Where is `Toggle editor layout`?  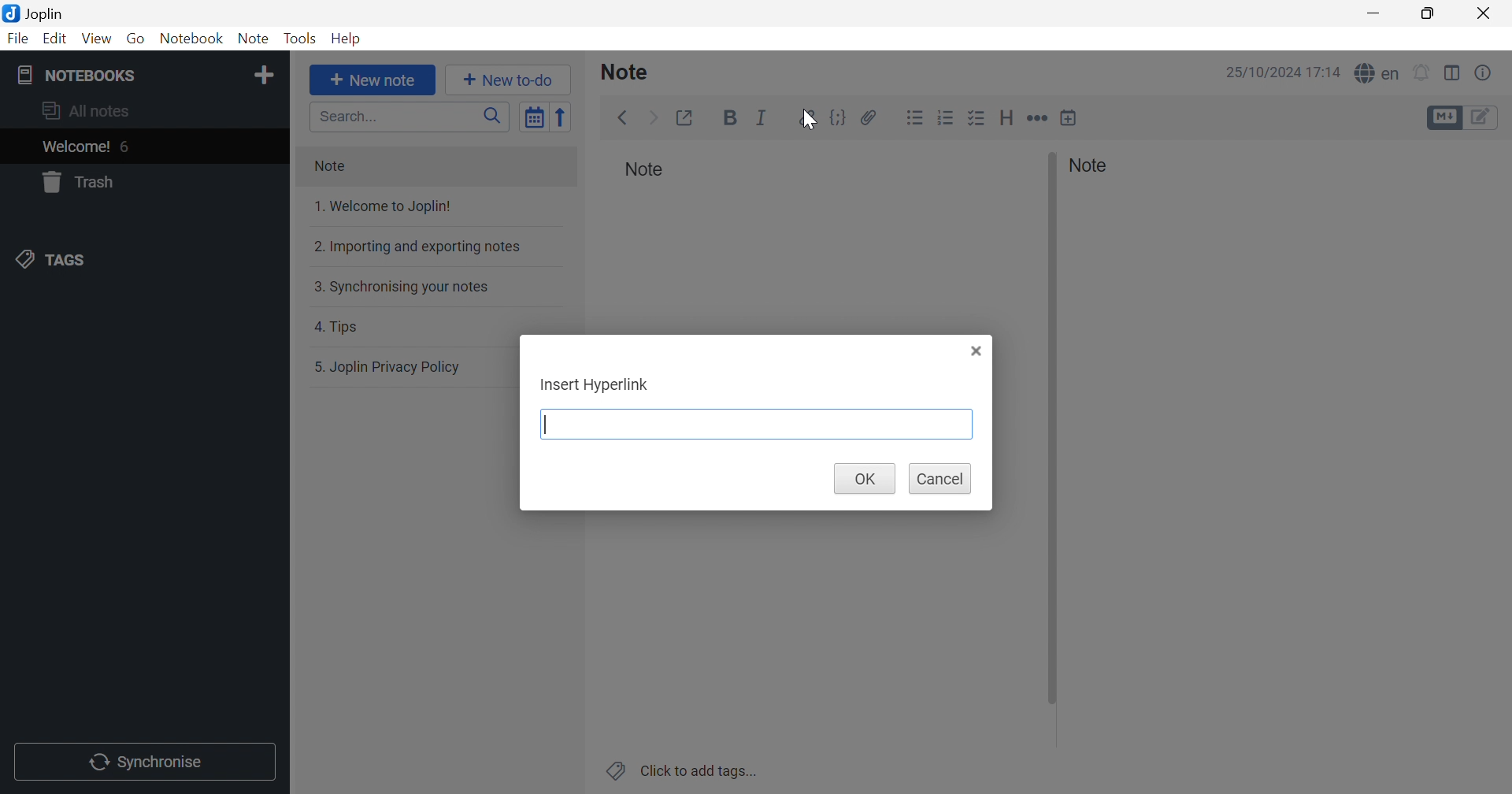 Toggle editor layout is located at coordinates (1453, 72).